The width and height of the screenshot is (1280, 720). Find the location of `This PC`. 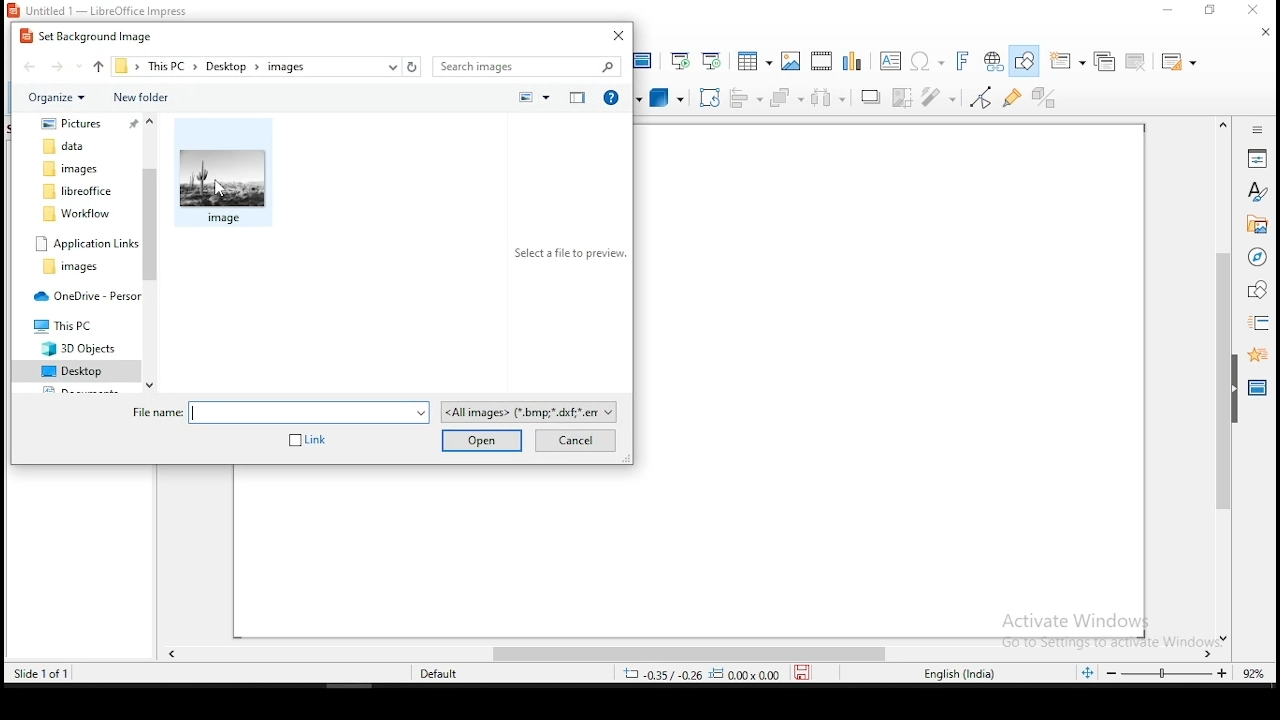

This PC is located at coordinates (79, 324).